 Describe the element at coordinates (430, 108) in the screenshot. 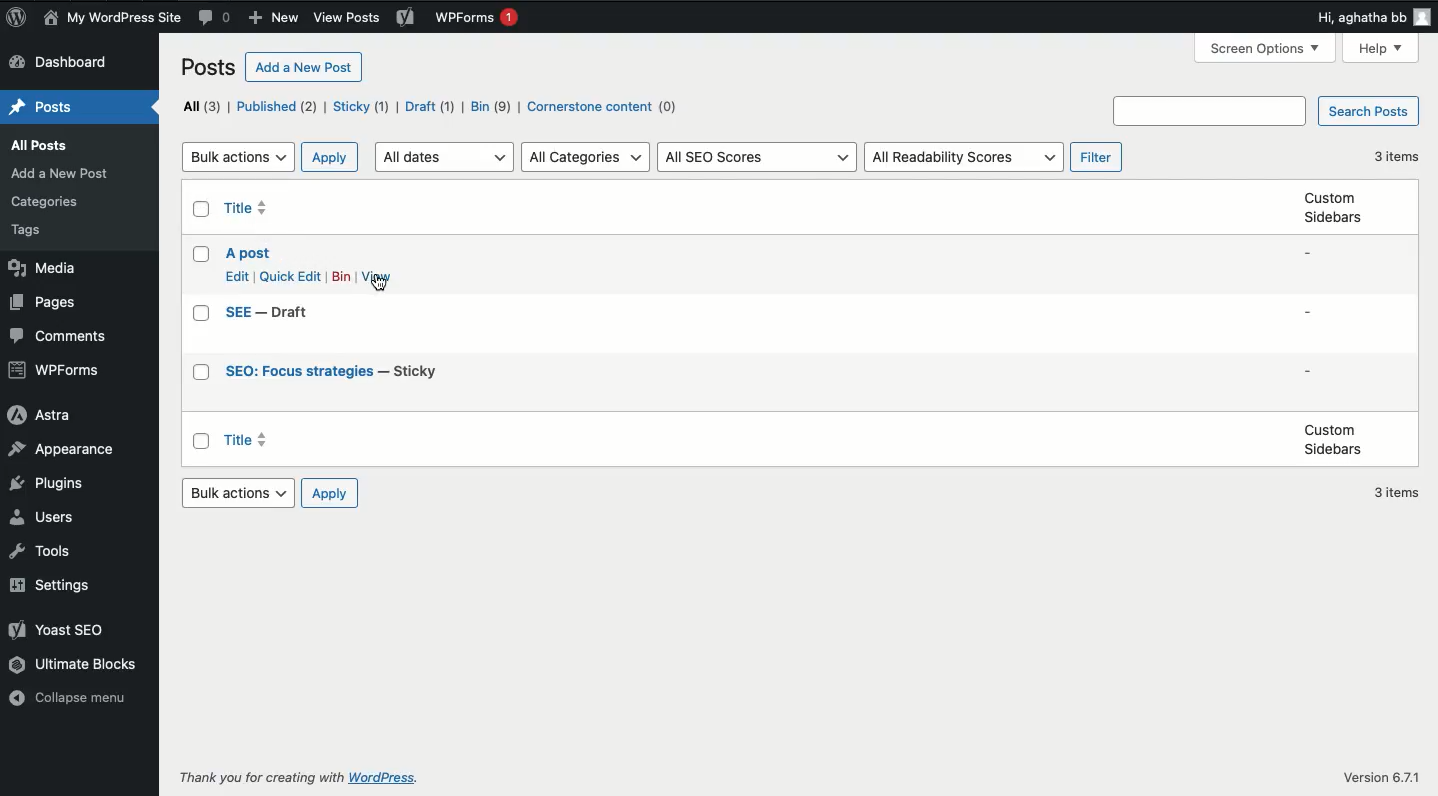

I see `Draft` at that location.